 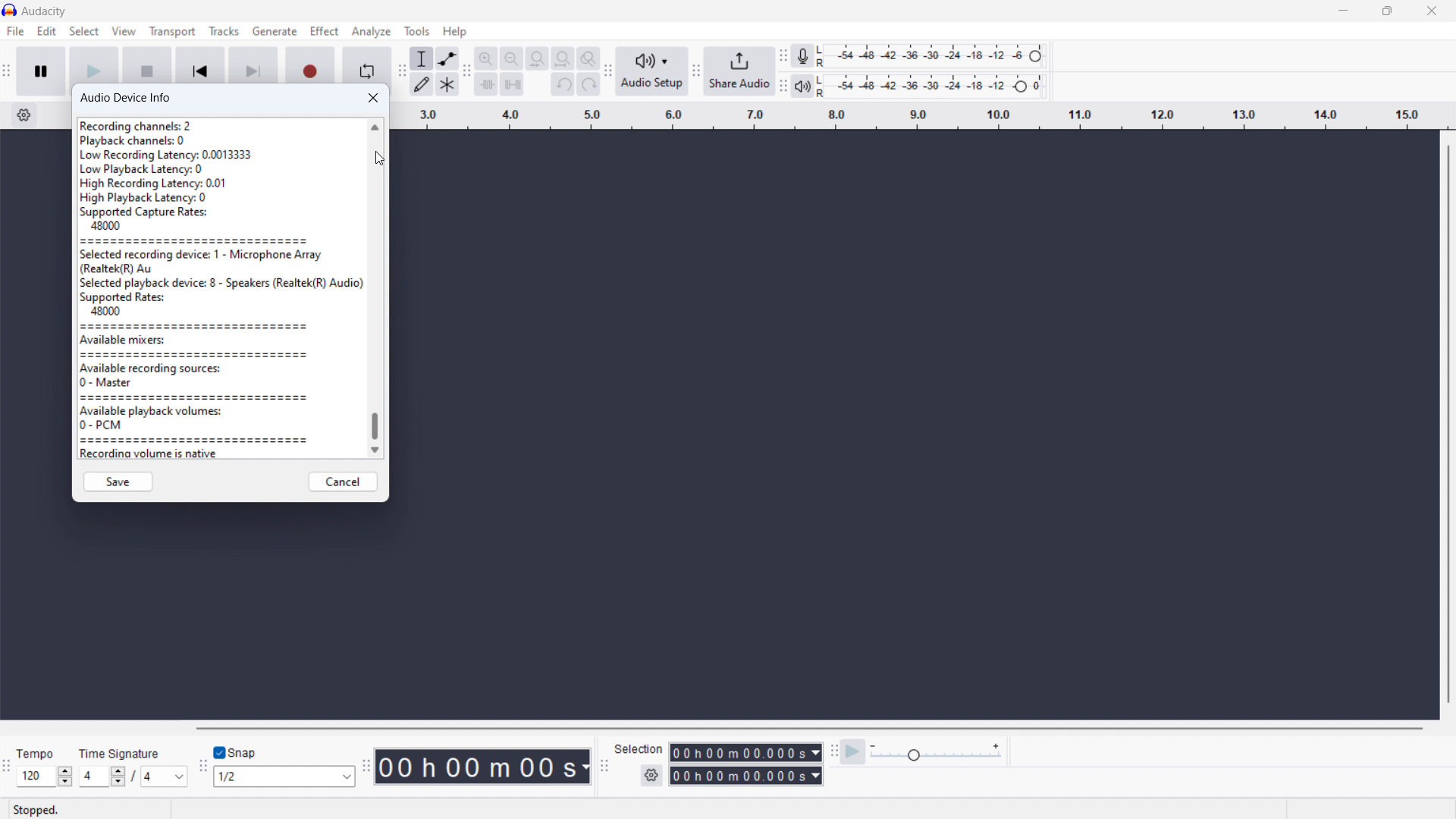 What do you see at coordinates (512, 85) in the screenshot?
I see `silence selection` at bounding box center [512, 85].